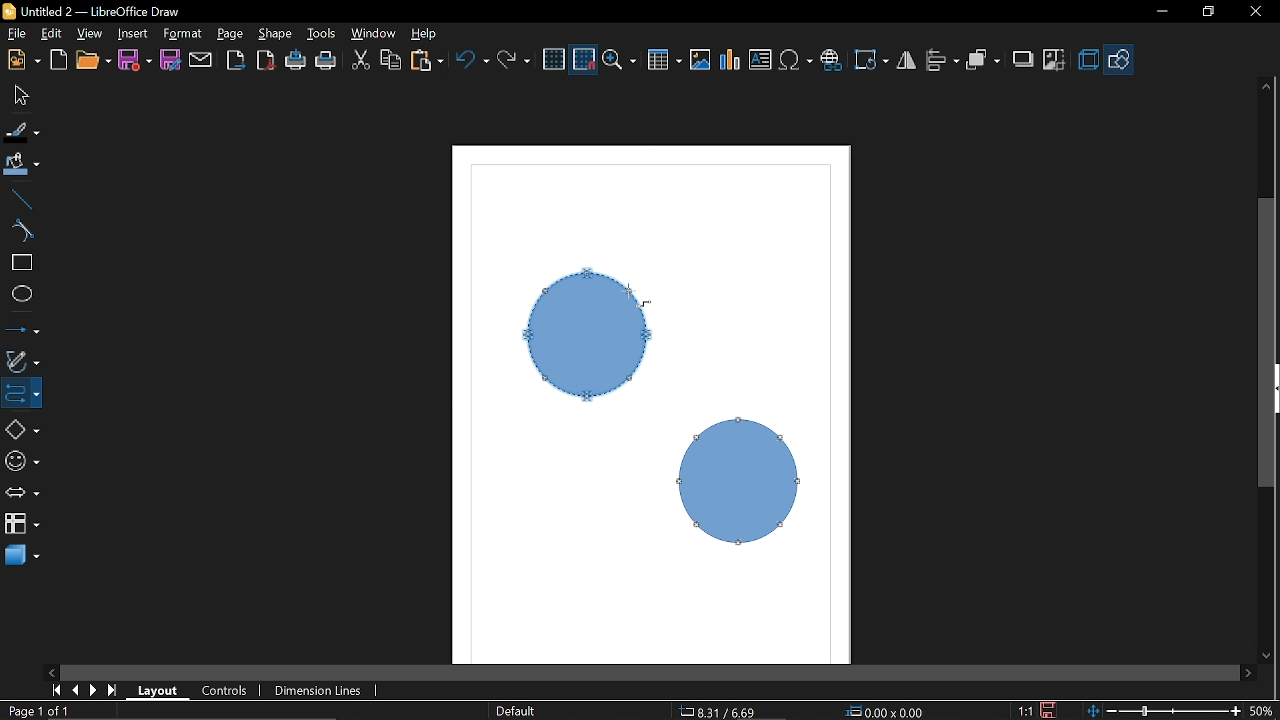 This screenshot has height=720, width=1280. What do you see at coordinates (374, 34) in the screenshot?
I see `Window` at bounding box center [374, 34].